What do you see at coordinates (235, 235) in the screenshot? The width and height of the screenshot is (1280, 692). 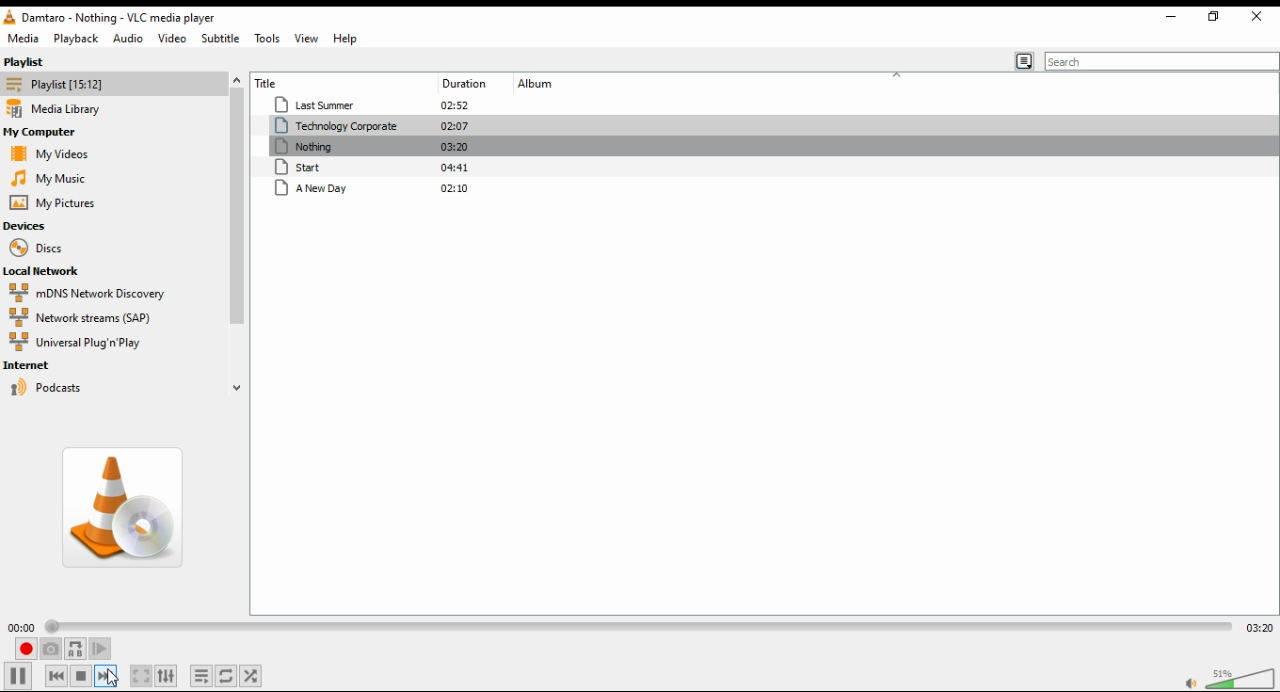 I see `scroll bar` at bounding box center [235, 235].